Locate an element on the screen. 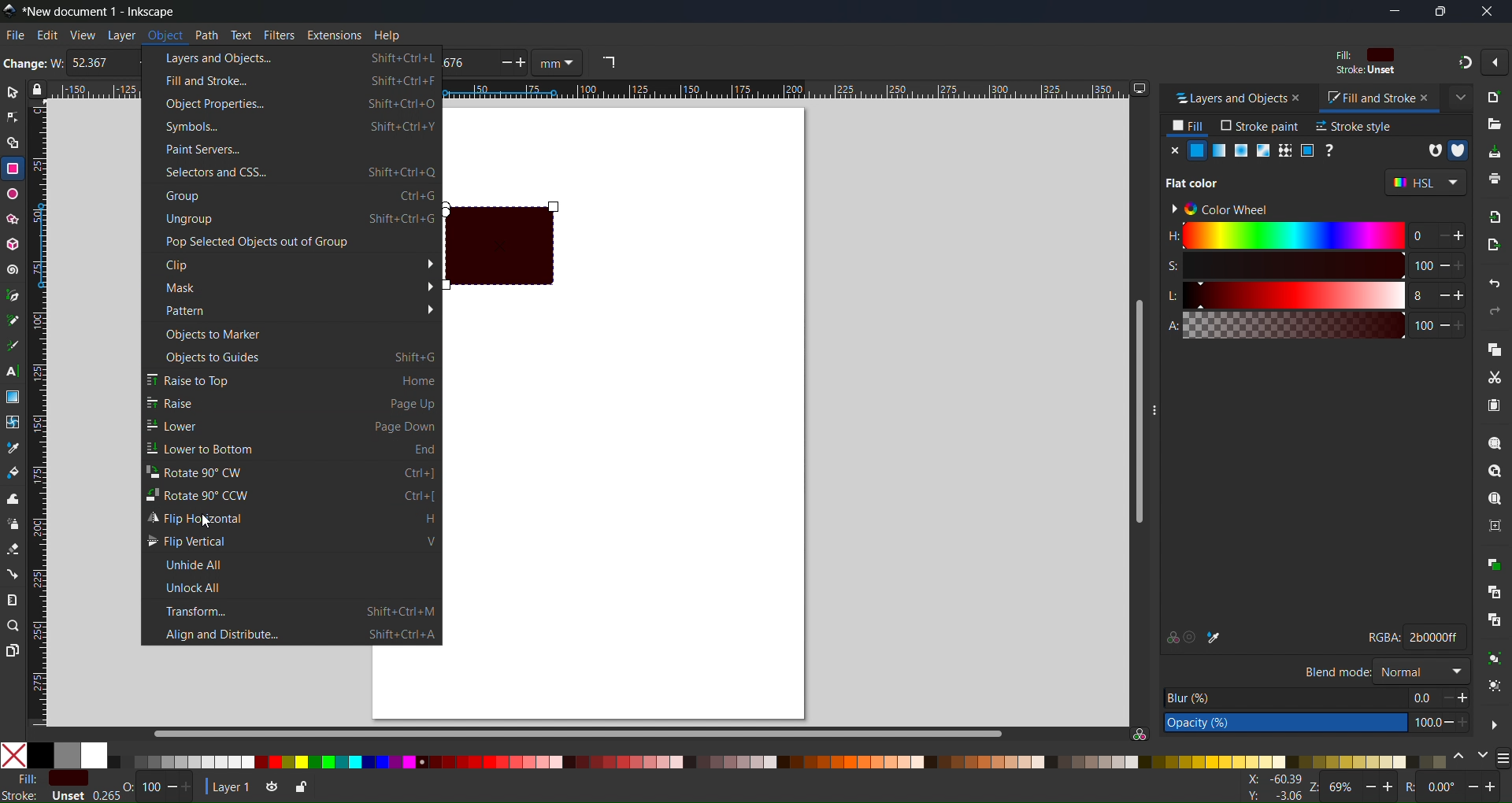 The height and width of the screenshot is (803, 1512). mm  is located at coordinates (560, 63).